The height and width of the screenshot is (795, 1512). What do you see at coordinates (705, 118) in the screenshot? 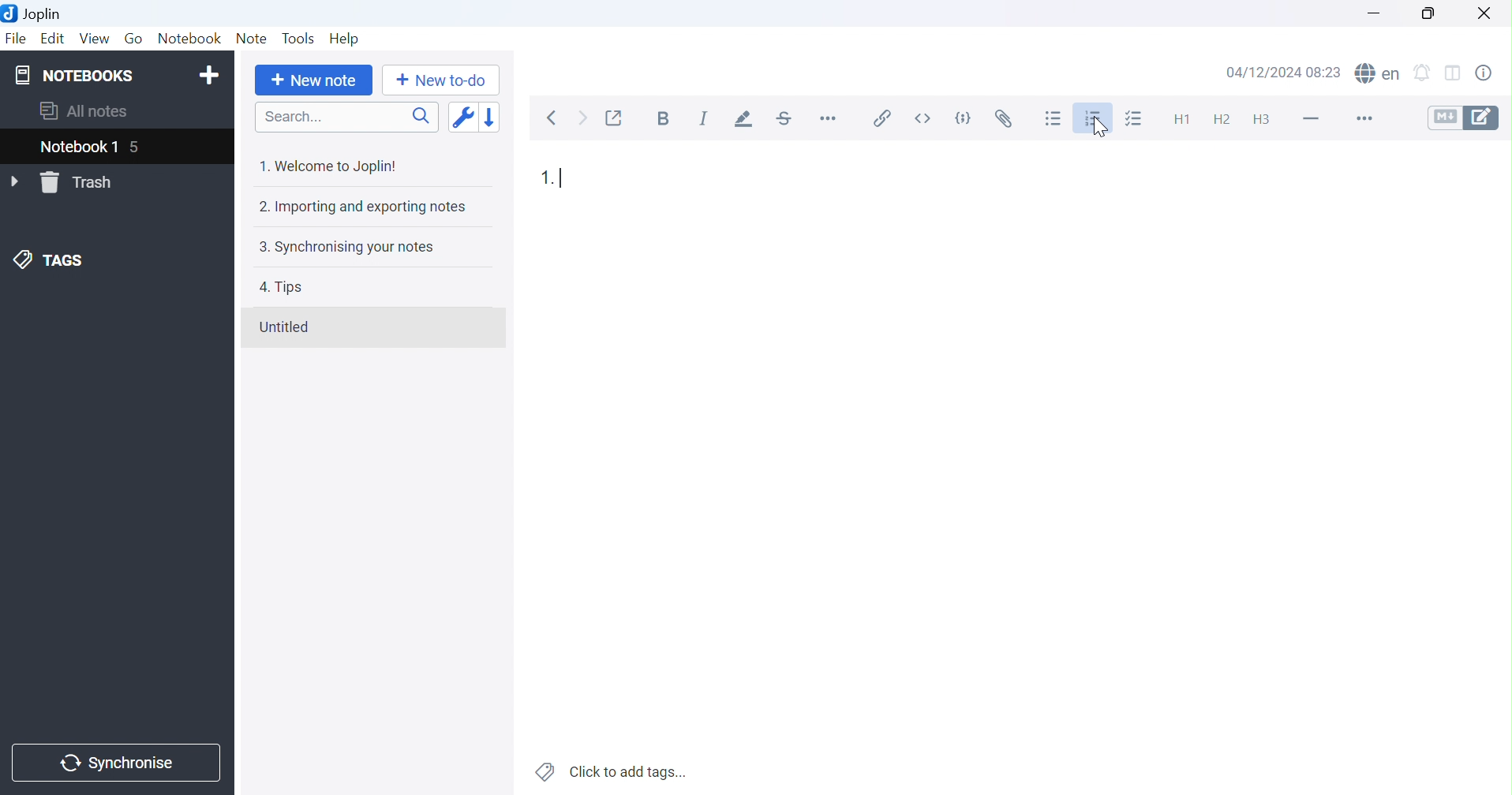
I see `Italic` at bounding box center [705, 118].